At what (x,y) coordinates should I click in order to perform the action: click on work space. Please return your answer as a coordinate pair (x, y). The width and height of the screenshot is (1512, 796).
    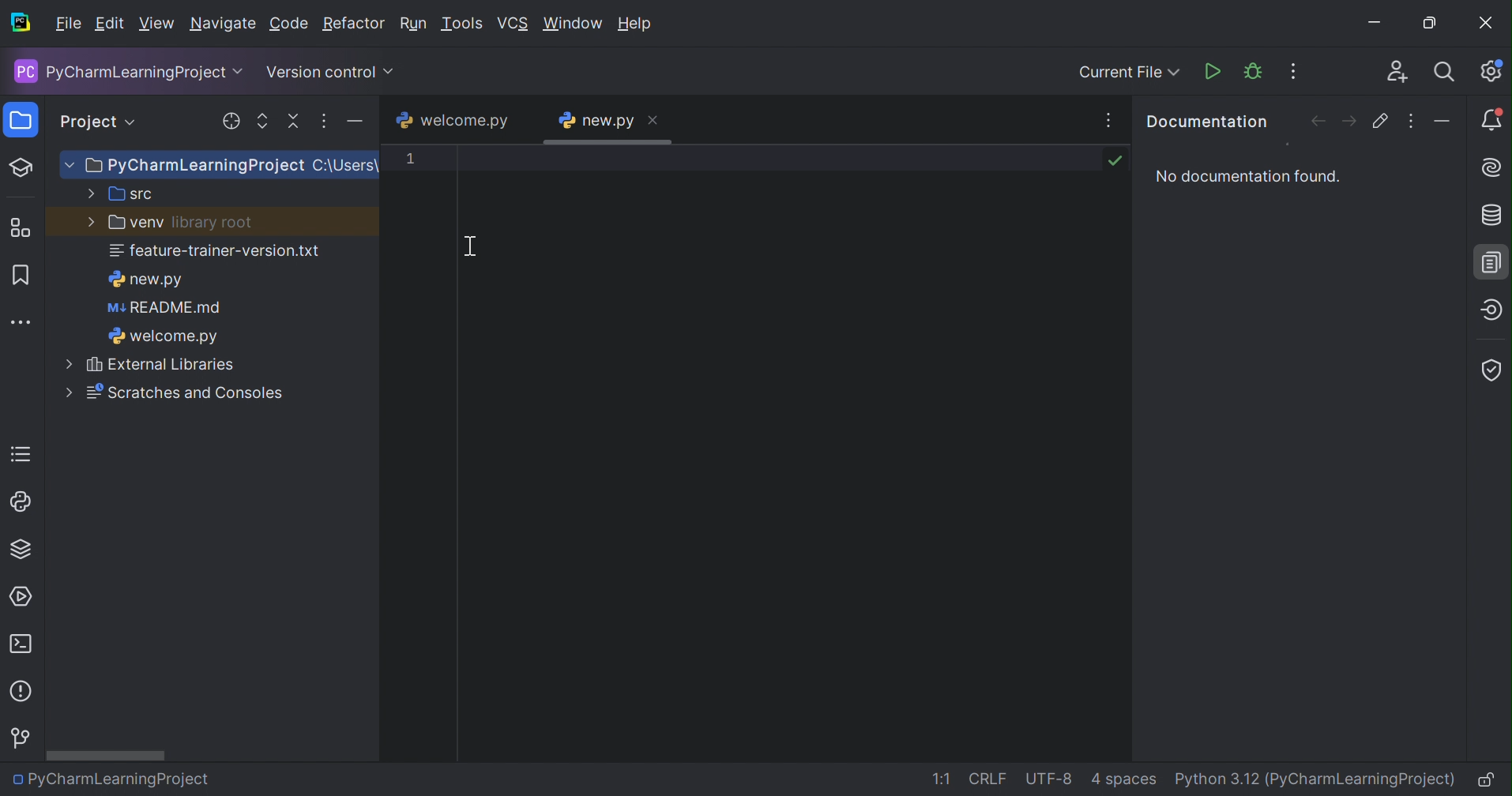
    Looking at the image, I should click on (793, 452).